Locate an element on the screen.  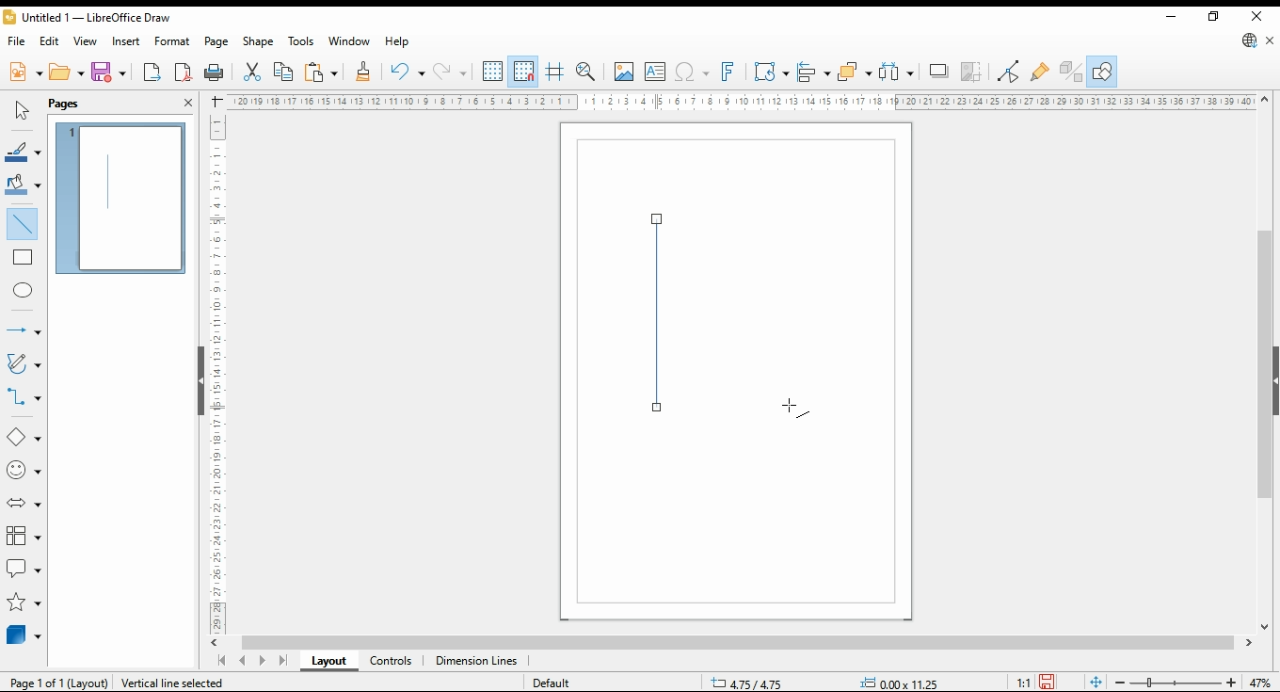
close pane is located at coordinates (187, 101).